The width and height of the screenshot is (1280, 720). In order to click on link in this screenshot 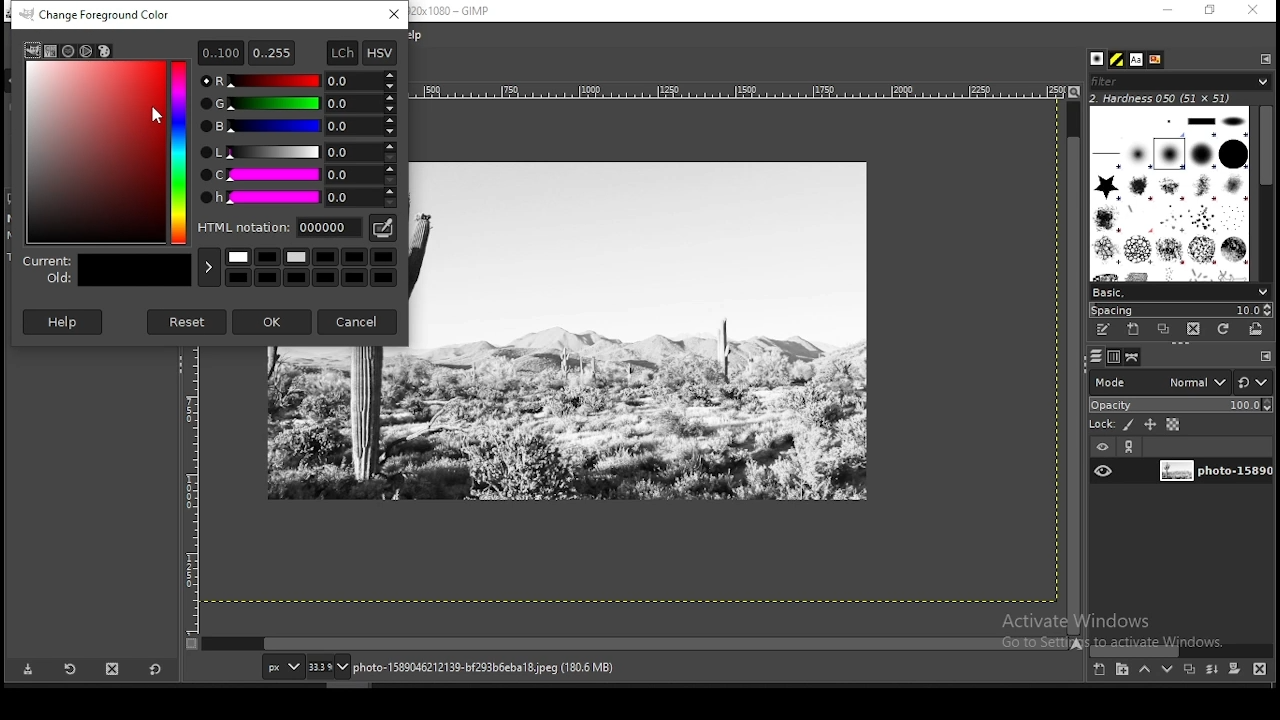, I will do `click(1131, 446)`.